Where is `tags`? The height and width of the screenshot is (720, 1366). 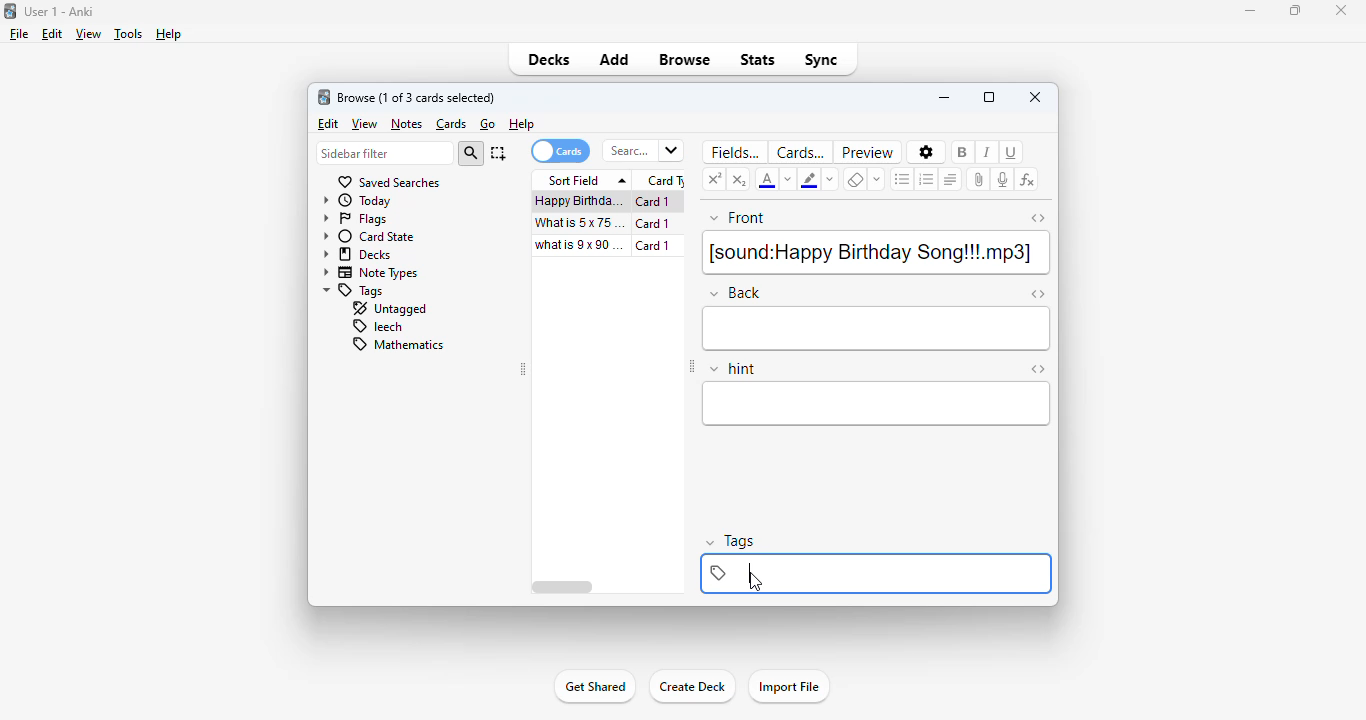 tags is located at coordinates (354, 291).